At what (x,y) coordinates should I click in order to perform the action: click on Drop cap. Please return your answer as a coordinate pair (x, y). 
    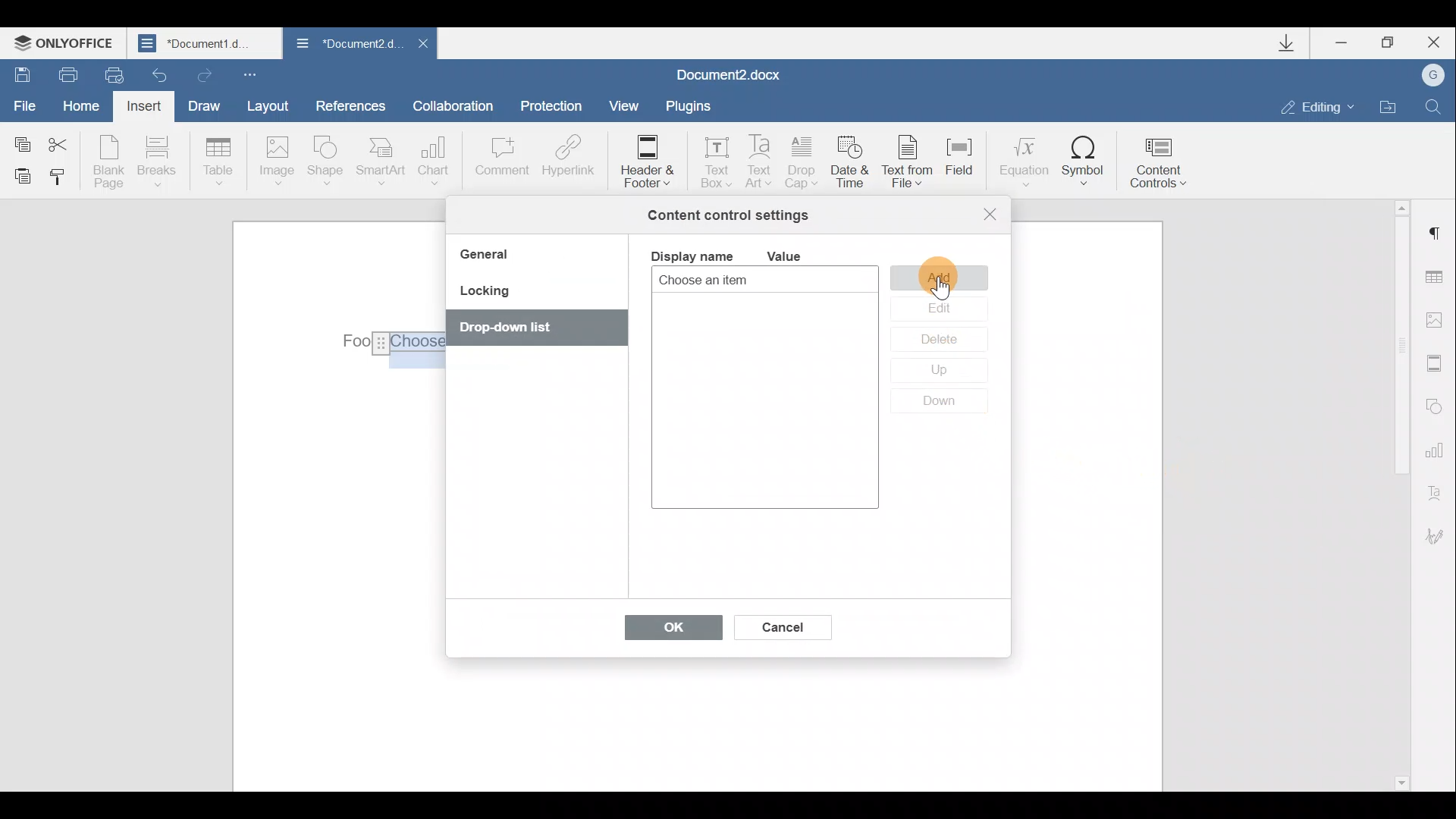
    Looking at the image, I should click on (802, 164).